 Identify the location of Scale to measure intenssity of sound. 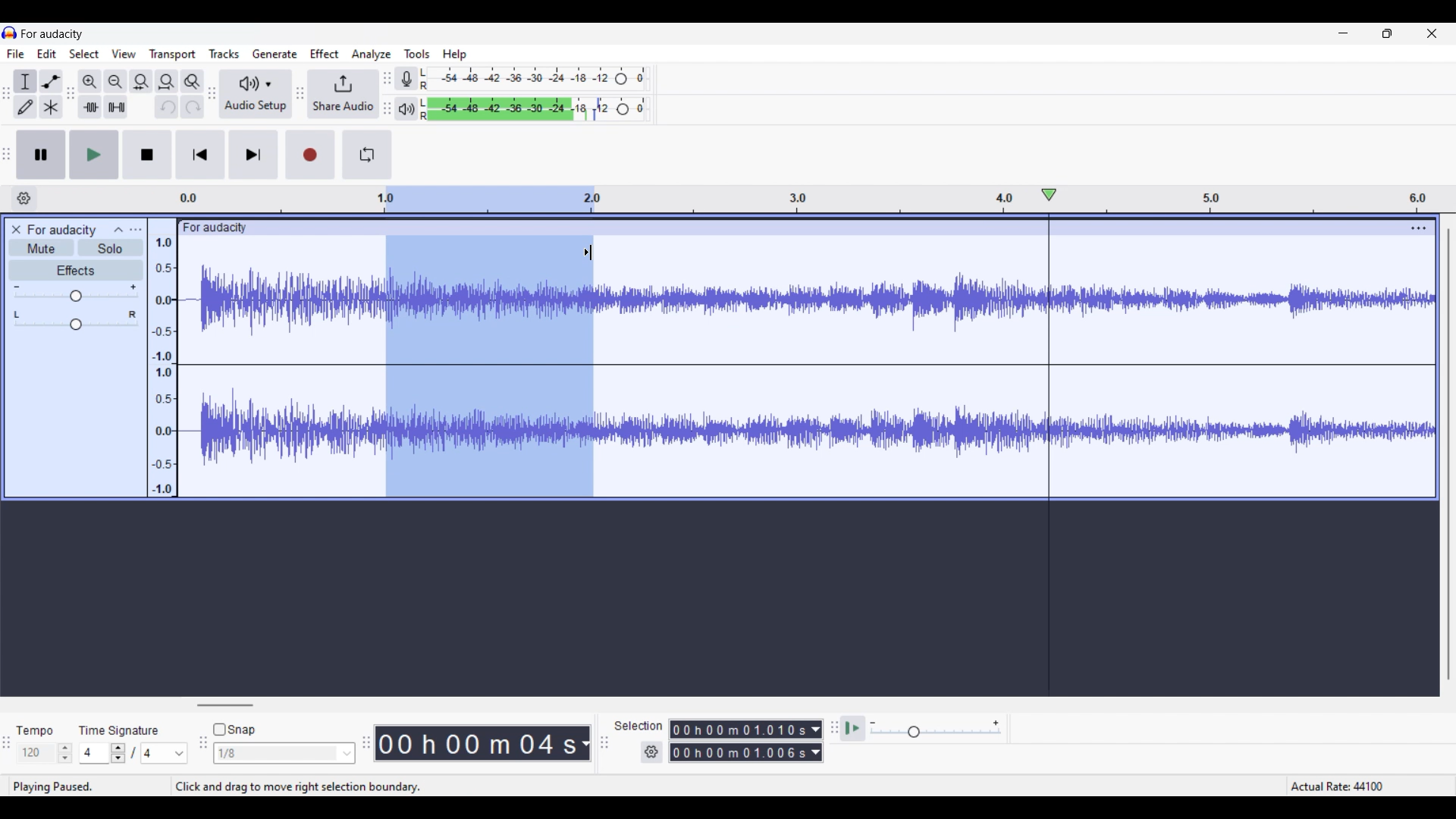
(163, 366).